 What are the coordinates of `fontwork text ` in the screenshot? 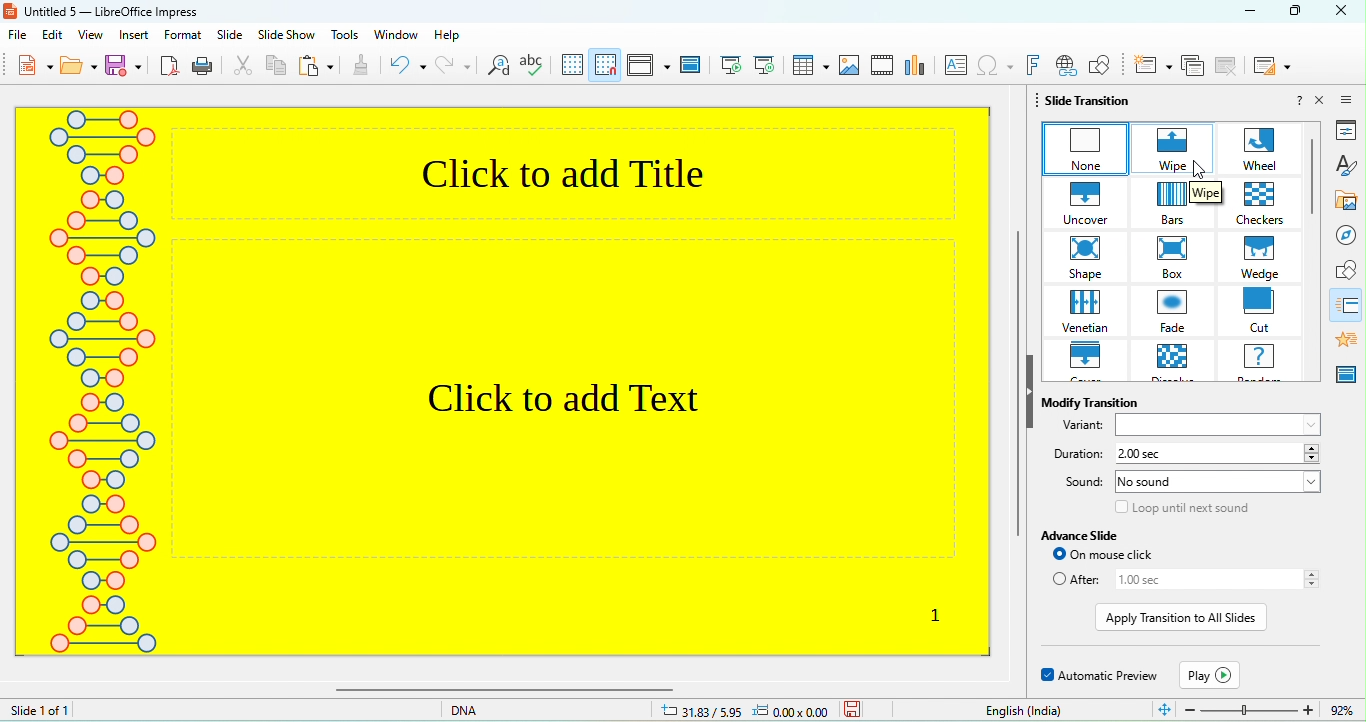 It's located at (1033, 65).